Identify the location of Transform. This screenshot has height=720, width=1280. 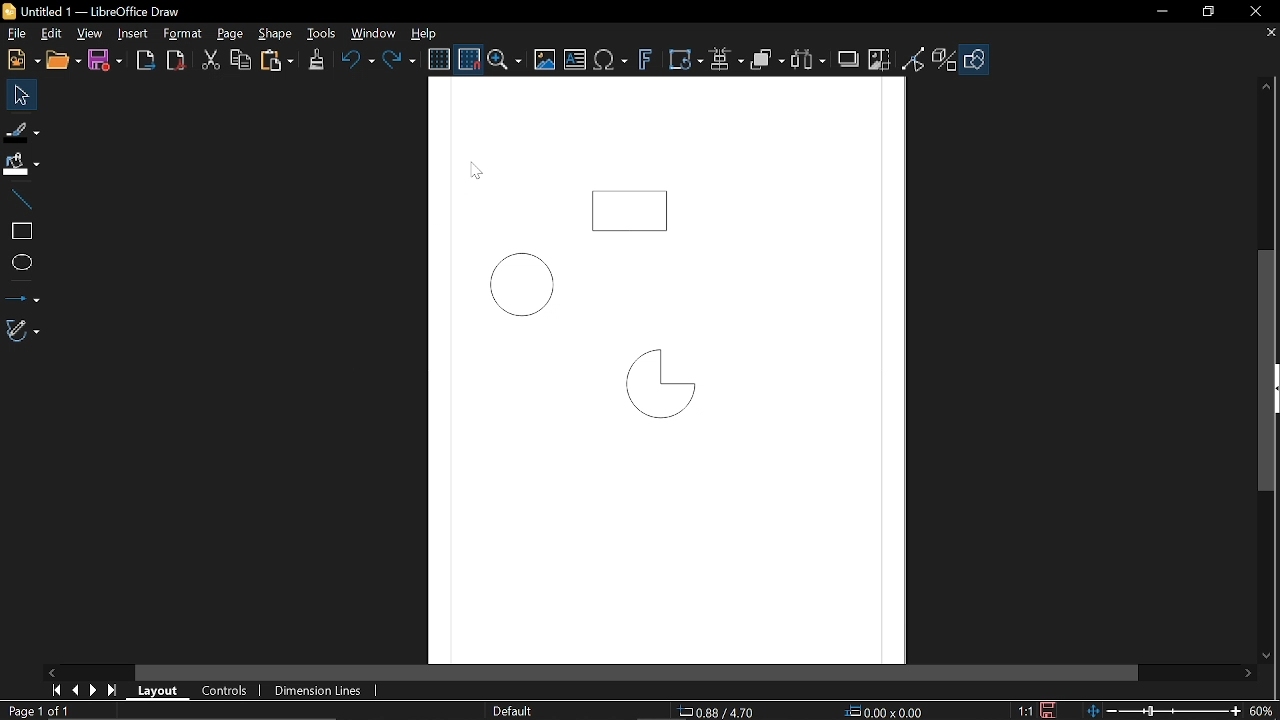
(686, 60).